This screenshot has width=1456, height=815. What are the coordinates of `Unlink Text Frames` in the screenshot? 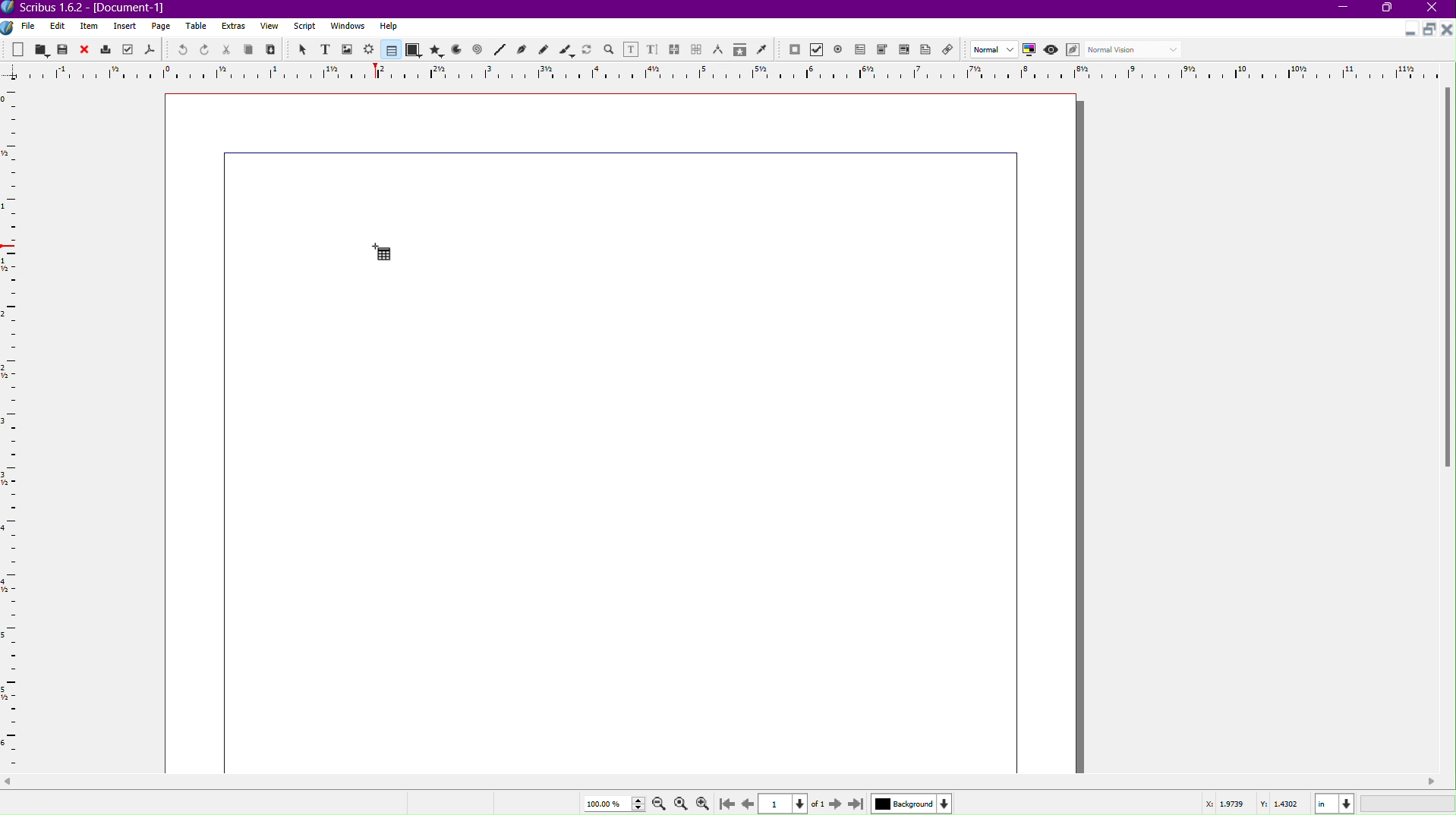 It's located at (697, 49).